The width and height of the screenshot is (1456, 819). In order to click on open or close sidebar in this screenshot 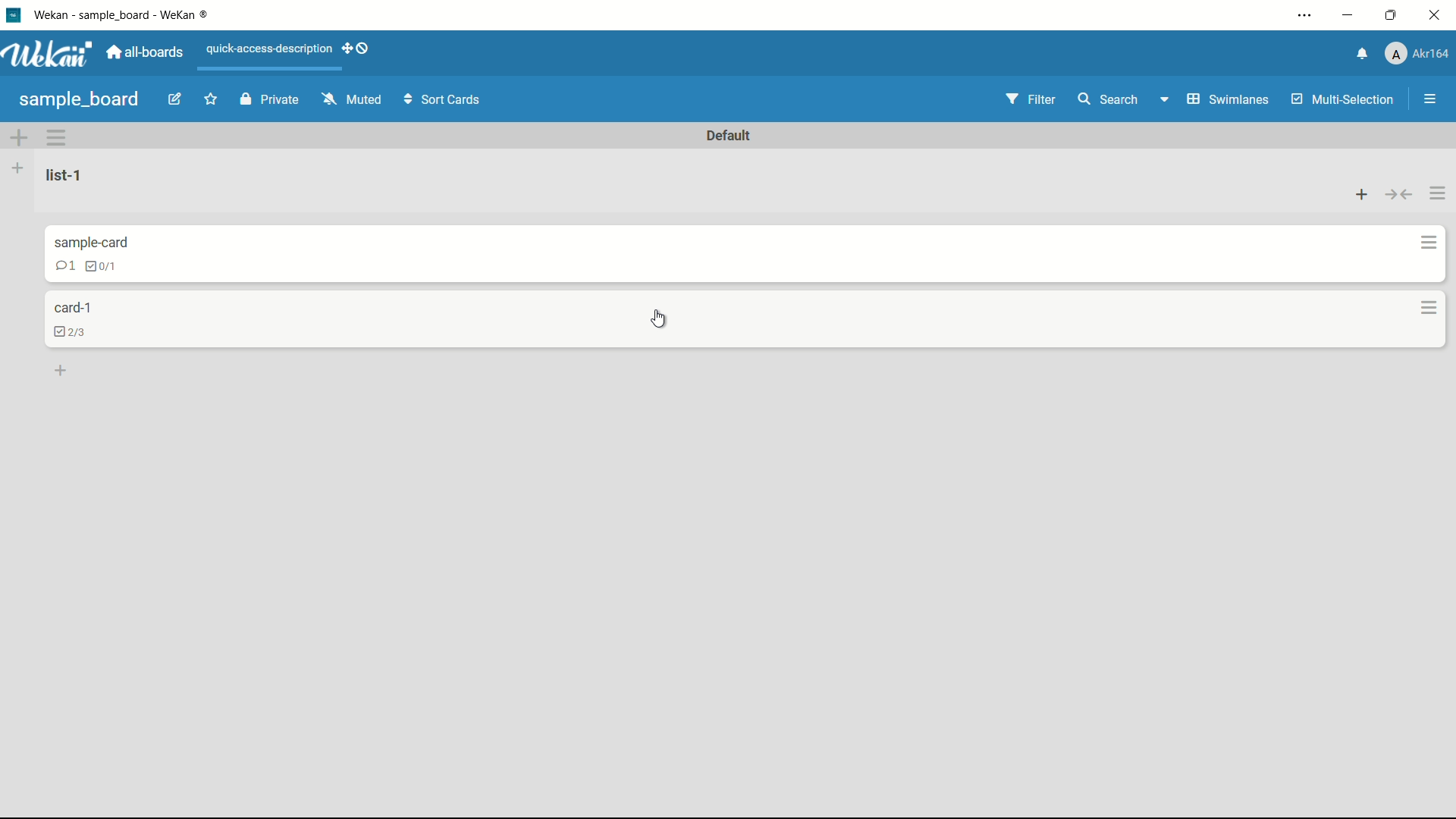, I will do `click(1426, 99)`.